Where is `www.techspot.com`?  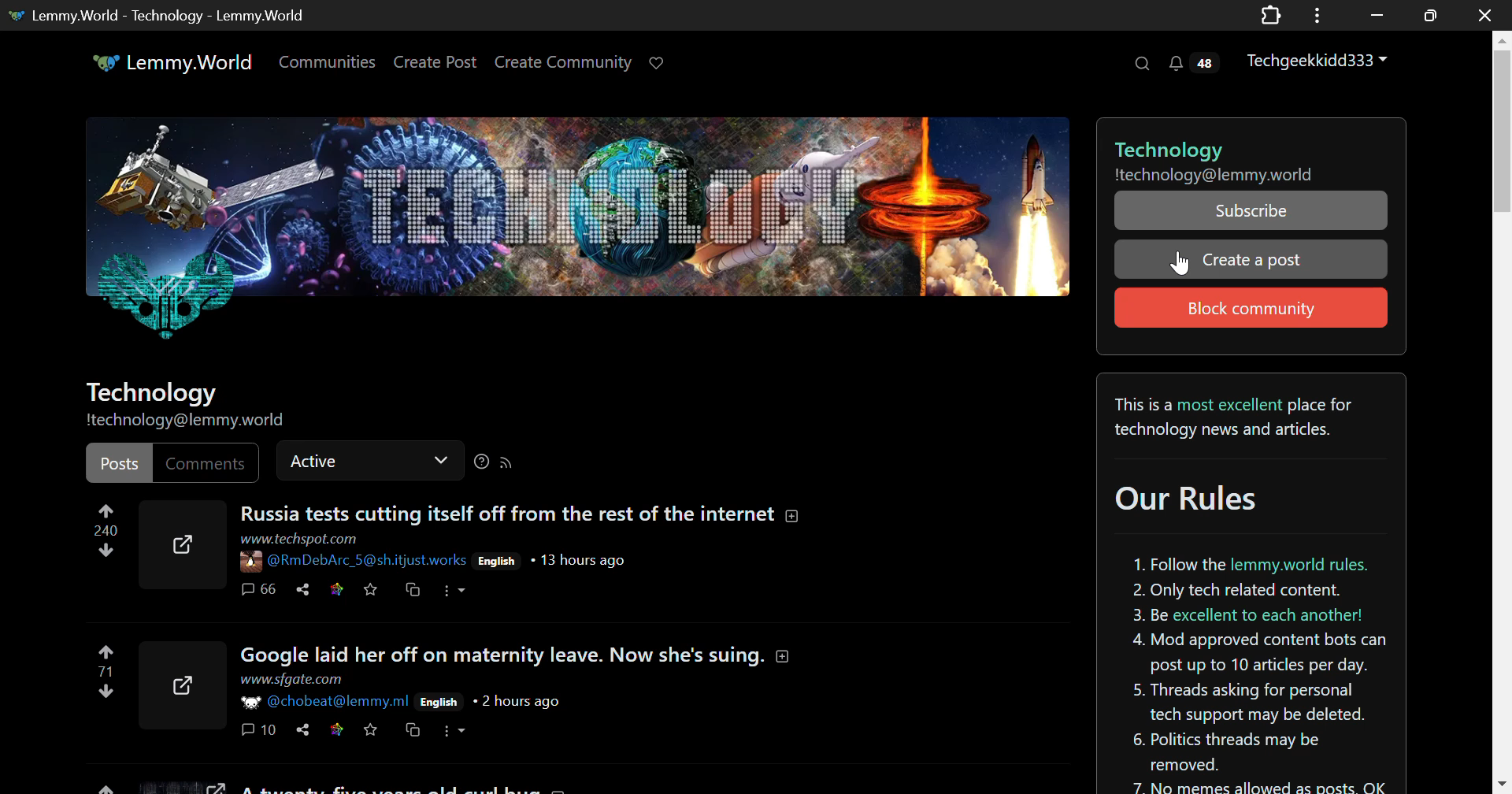 www.techspot.com is located at coordinates (302, 539).